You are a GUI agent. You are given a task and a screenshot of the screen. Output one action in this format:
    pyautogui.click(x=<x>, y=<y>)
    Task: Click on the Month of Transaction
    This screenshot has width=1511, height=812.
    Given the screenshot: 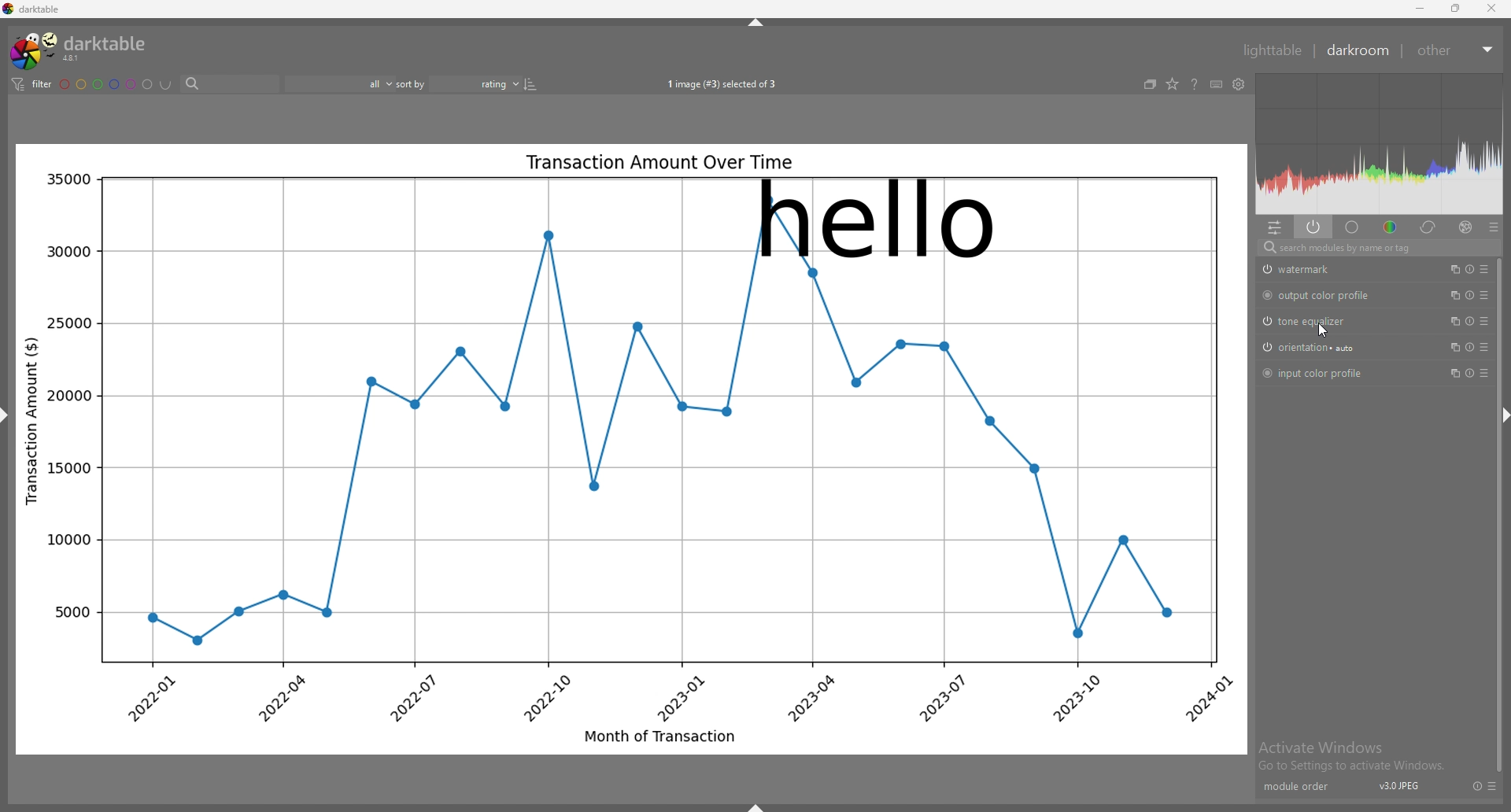 What is the action you would take?
    pyautogui.click(x=659, y=735)
    